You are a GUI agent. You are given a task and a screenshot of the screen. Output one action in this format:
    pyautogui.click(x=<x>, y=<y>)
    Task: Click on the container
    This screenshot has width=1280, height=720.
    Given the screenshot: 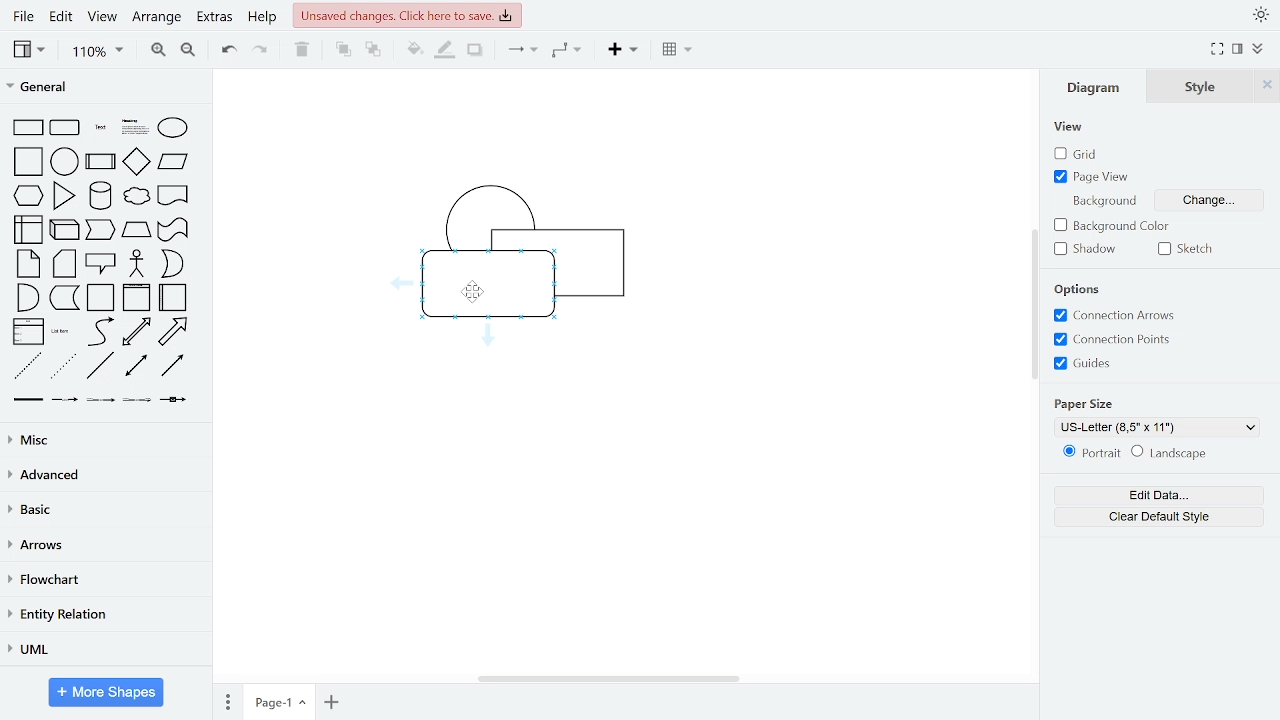 What is the action you would take?
    pyautogui.click(x=101, y=298)
    